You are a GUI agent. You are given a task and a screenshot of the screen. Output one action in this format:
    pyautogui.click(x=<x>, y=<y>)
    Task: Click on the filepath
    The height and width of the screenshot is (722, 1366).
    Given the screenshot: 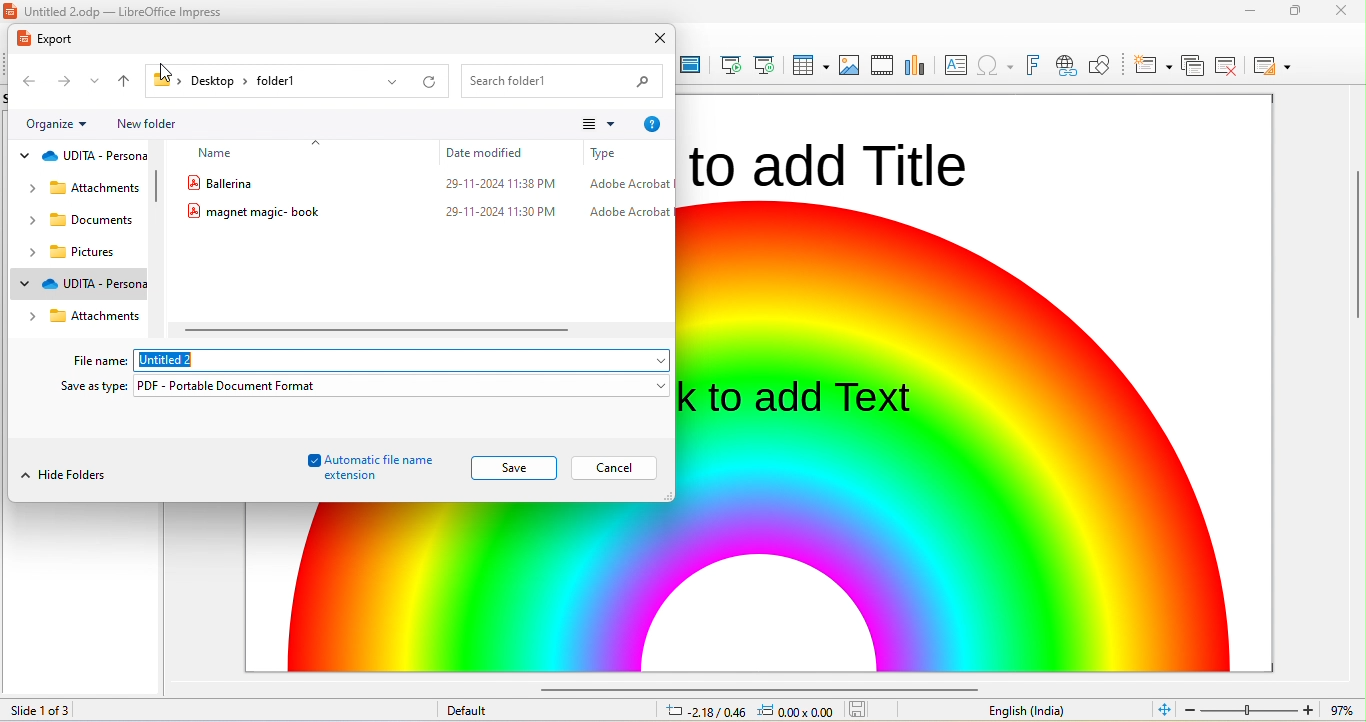 What is the action you would take?
    pyautogui.click(x=228, y=79)
    